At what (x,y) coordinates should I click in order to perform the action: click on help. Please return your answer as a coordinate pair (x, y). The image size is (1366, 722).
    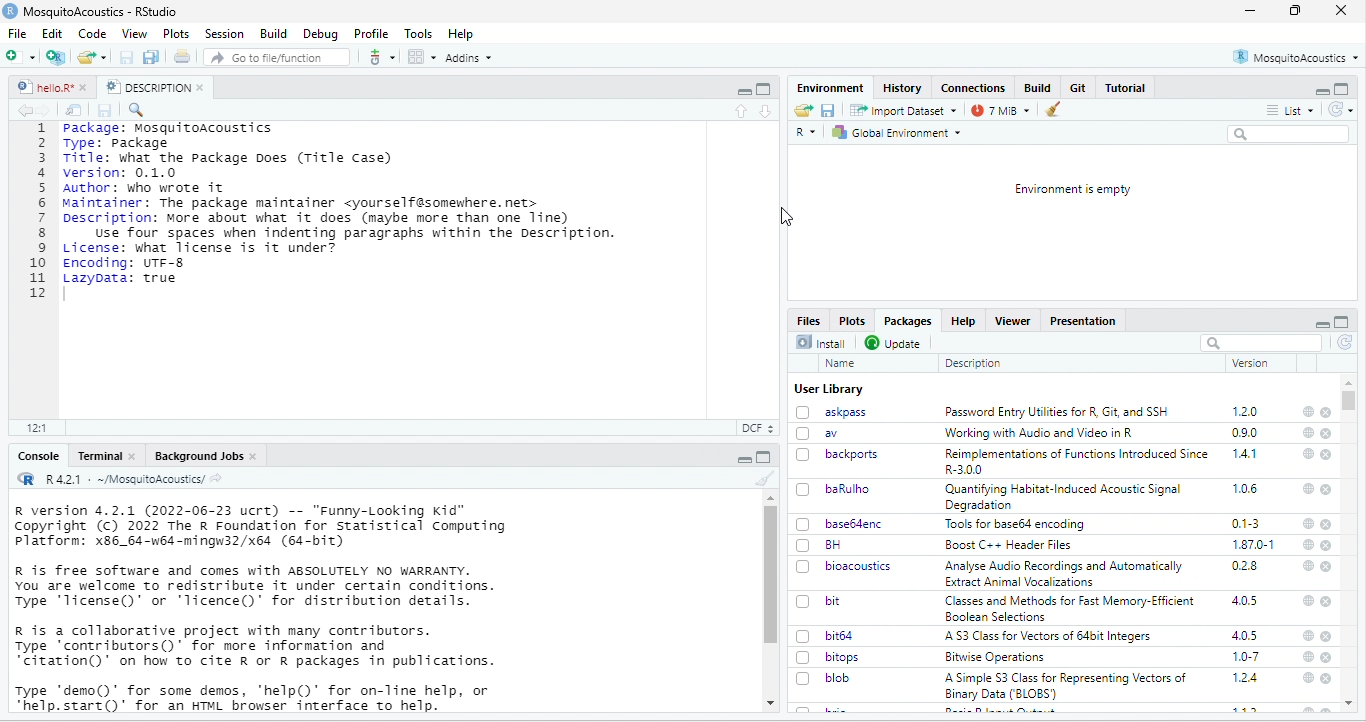
    Looking at the image, I should click on (1306, 679).